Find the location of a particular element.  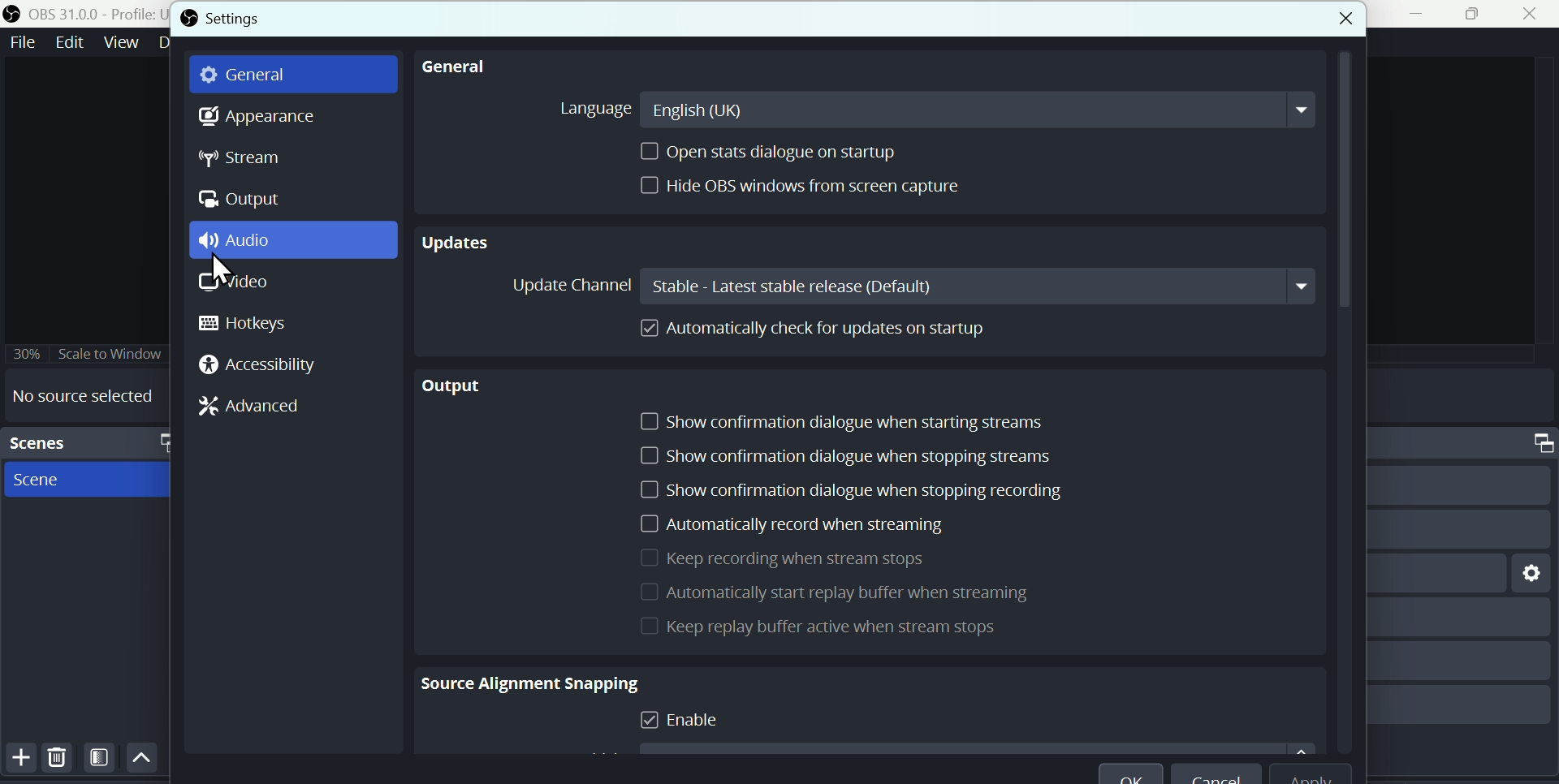

Appearance is located at coordinates (259, 118).